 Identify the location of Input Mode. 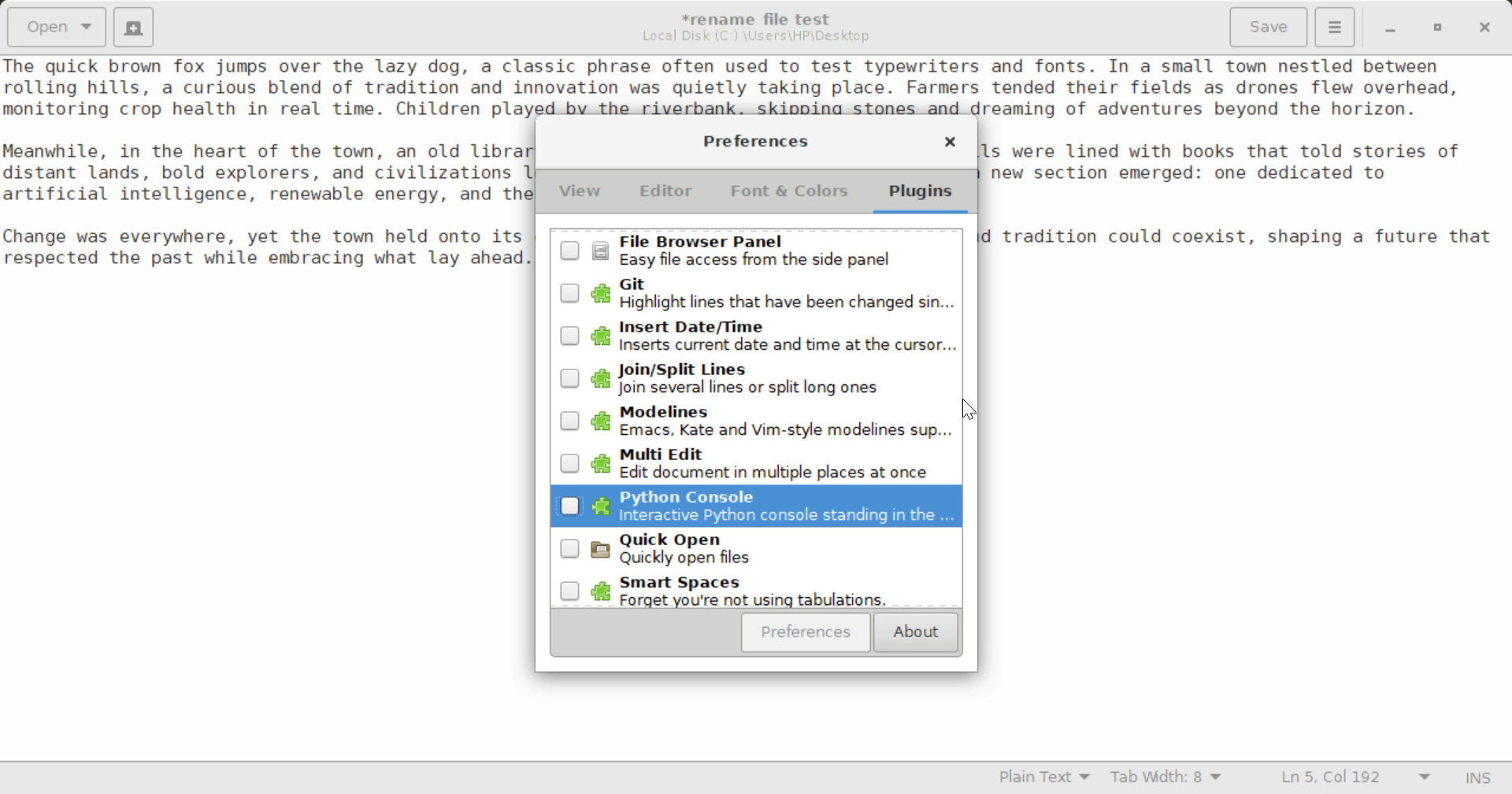
(1478, 780).